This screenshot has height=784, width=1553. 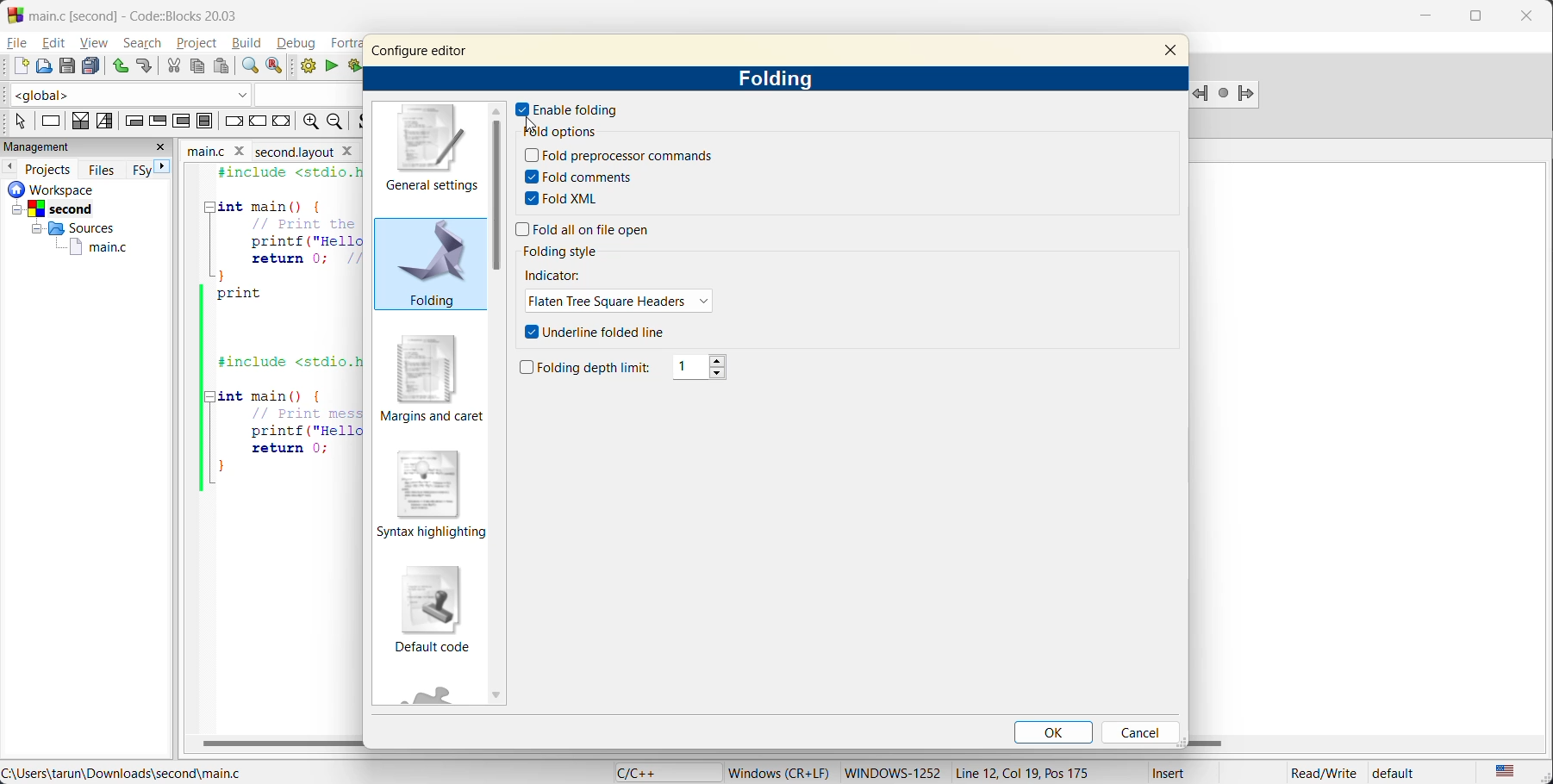 I want to click on fold comments, so click(x=581, y=177).